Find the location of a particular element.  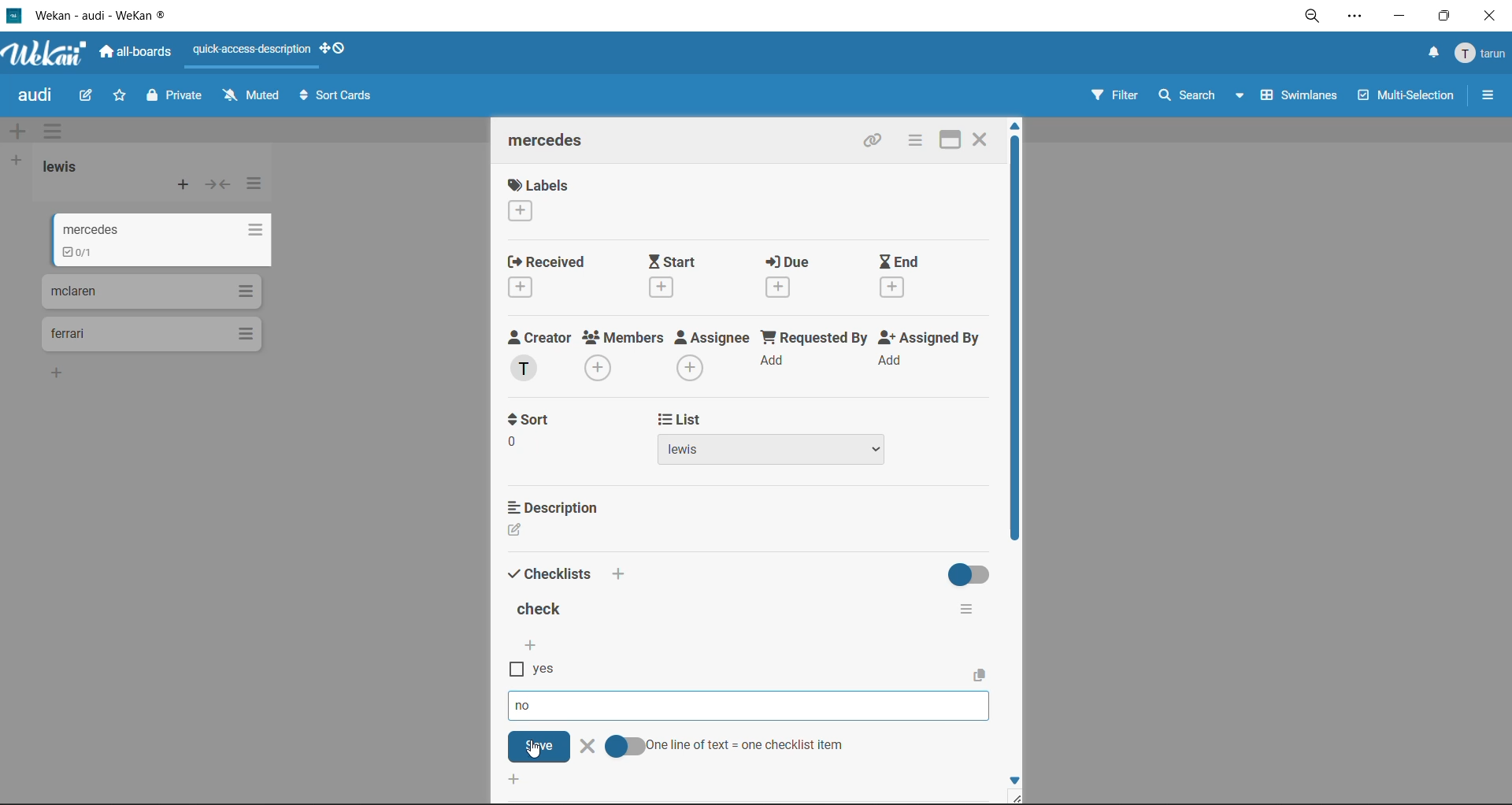

maximize is located at coordinates (1440, 20).